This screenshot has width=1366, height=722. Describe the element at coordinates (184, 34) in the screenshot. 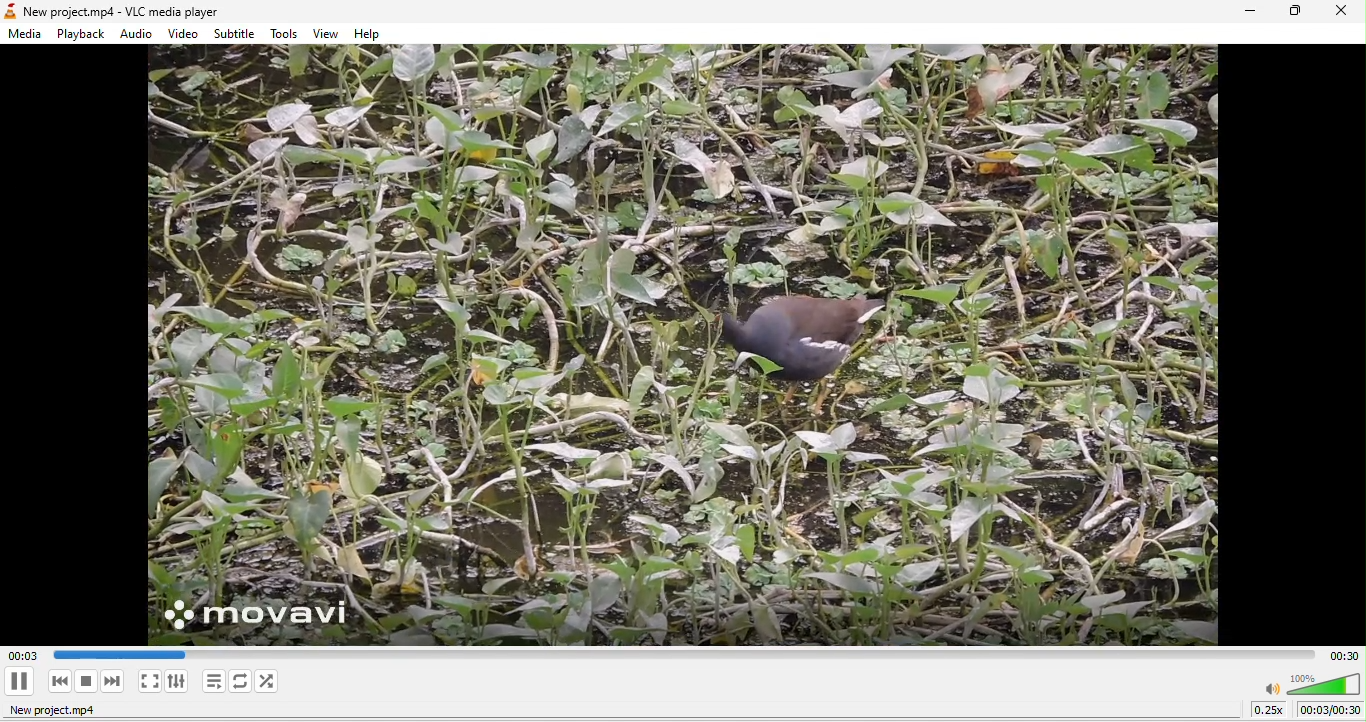

I see `video` at that location.